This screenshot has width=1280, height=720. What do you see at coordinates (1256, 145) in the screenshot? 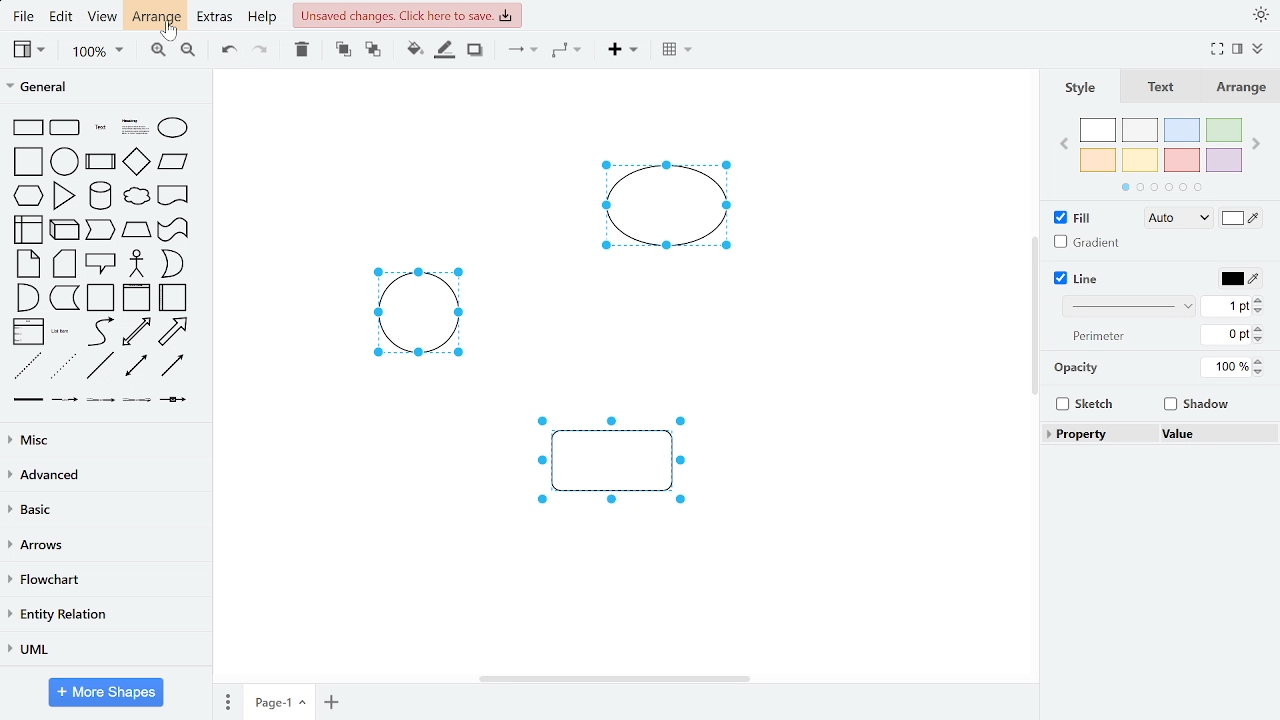
I see `next` at bounding box center [1256, 145].